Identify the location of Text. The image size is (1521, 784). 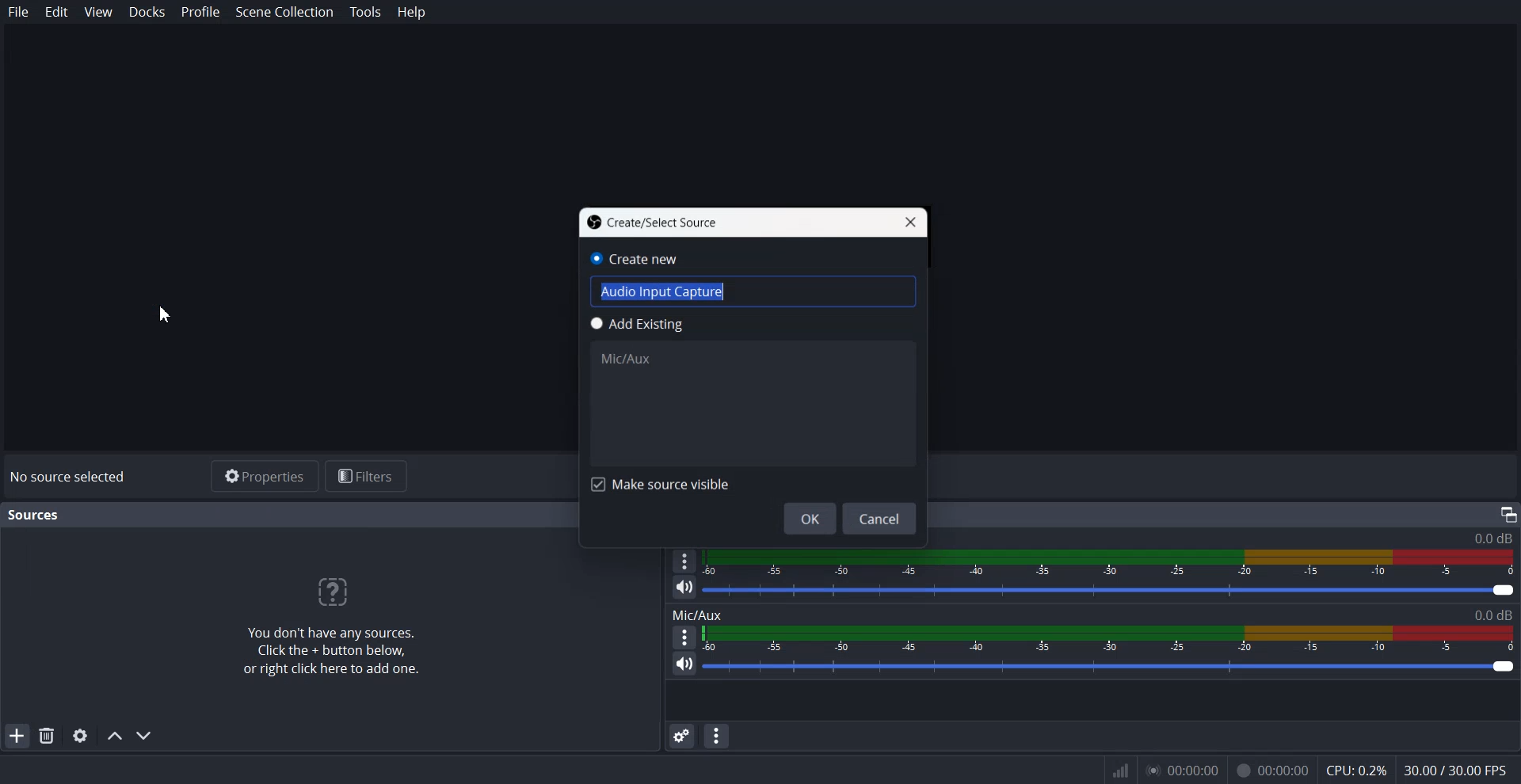
(35, 515).